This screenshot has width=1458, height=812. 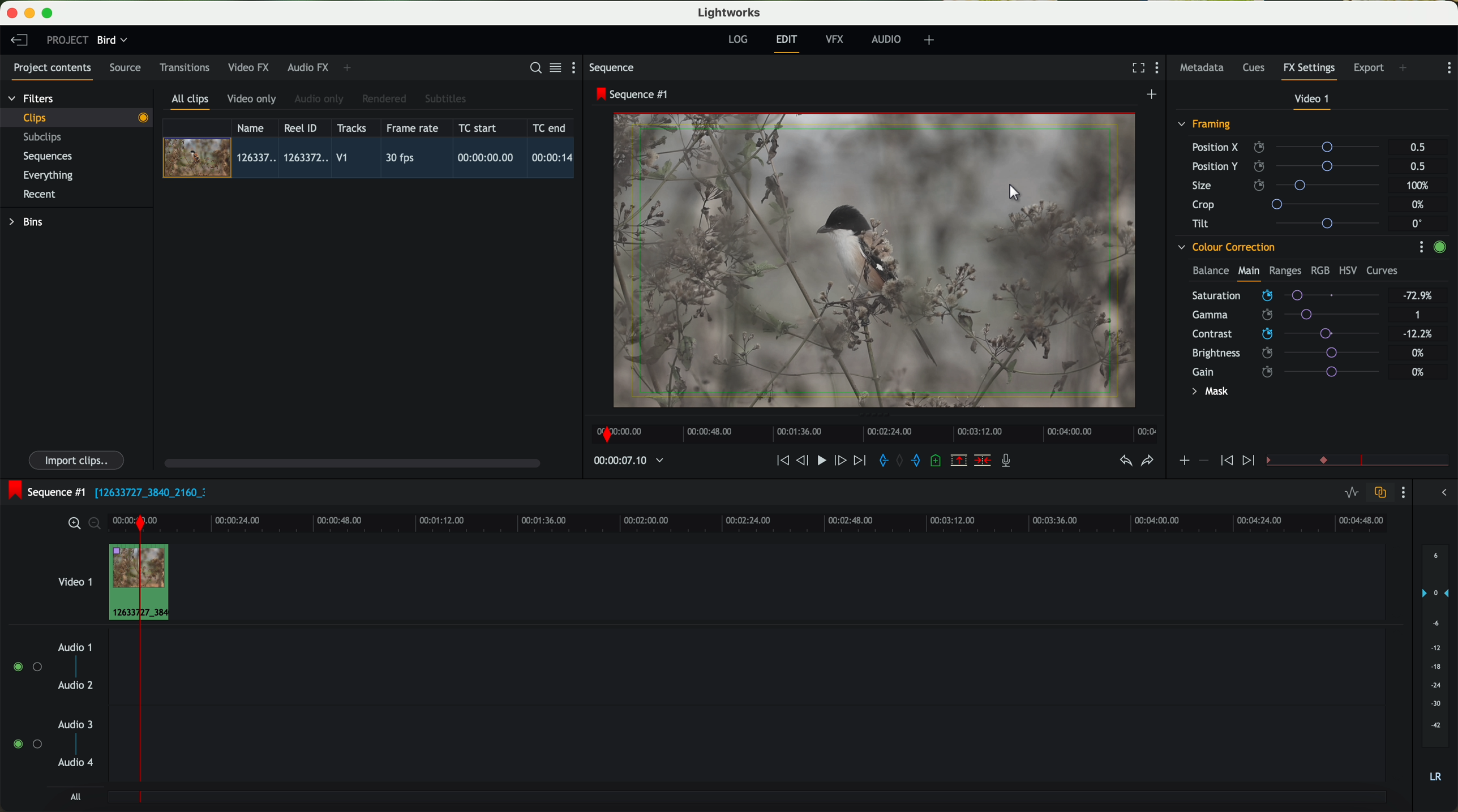 What do you see at coordinates (255, 128) in the screenshot?
I see `name` at bounding box center [255, 128].